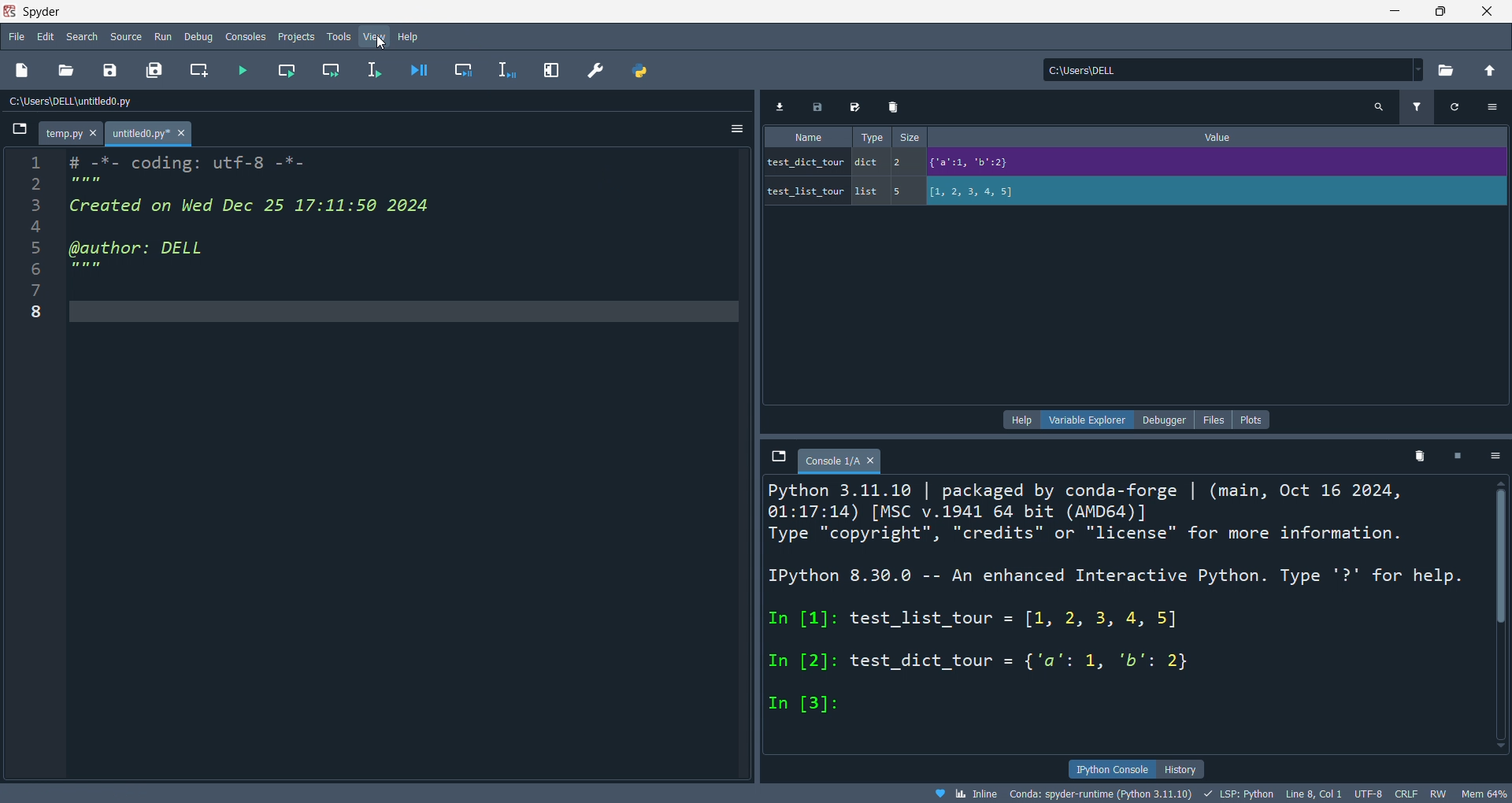  What do you see at coordinates (777, 457) in the screenshot?
I see `browse tabs` at bounding box center [777, 457].